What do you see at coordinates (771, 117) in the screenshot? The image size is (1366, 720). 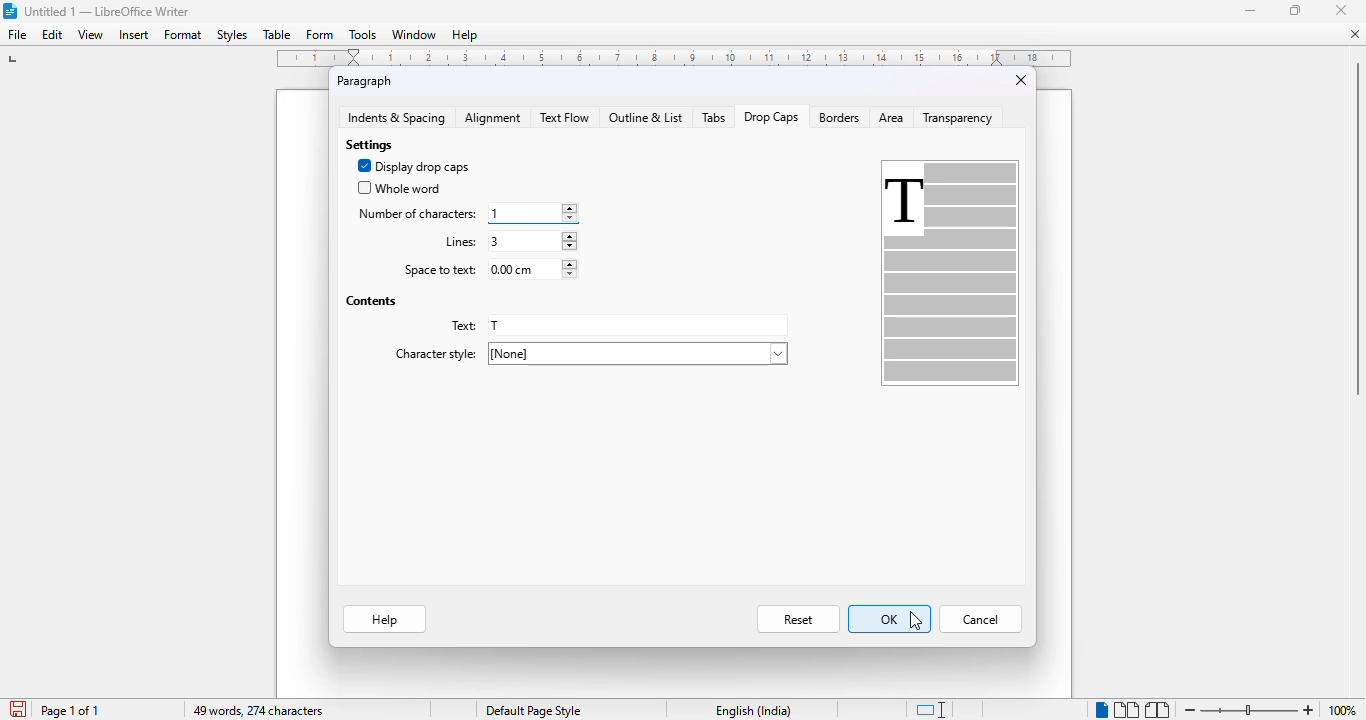 I see `drop caps` at bounding box center [771, 117].